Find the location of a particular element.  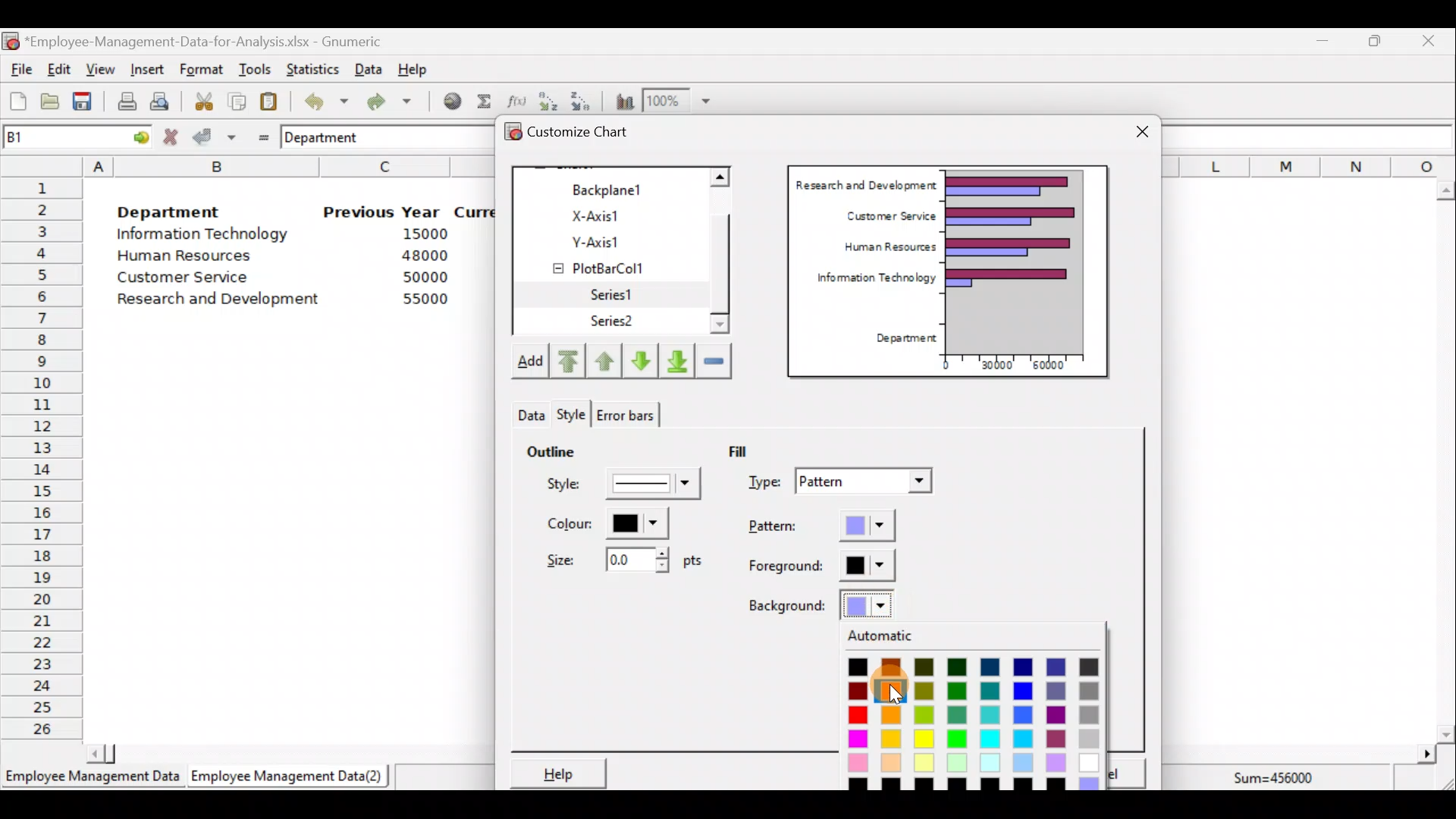

Remove is located at coordinates (714, 359).